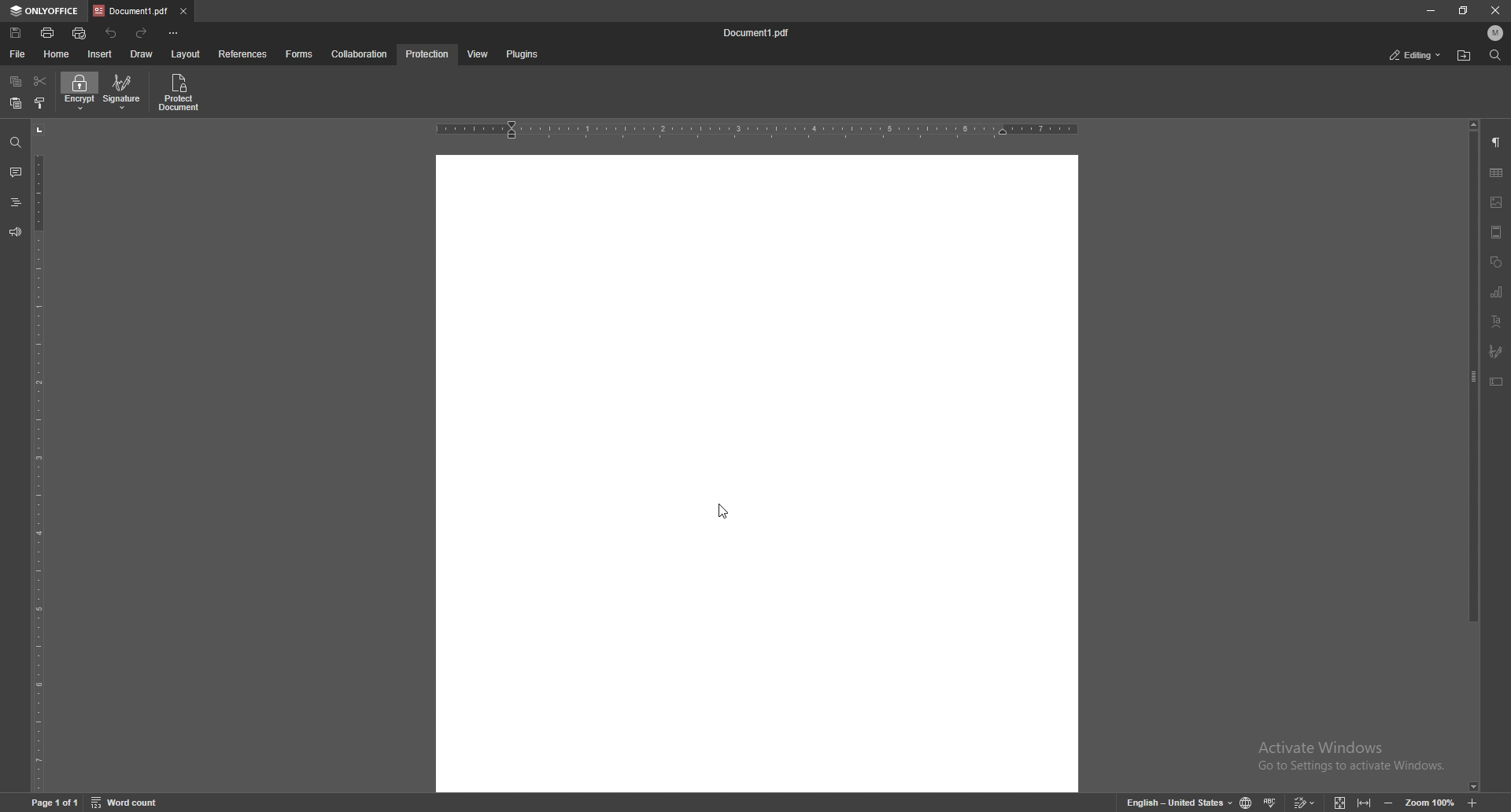  What do you see at coordinates (172, 34) in the screenshot?
I see `customize toolbar` at bounding box center [172, 34].